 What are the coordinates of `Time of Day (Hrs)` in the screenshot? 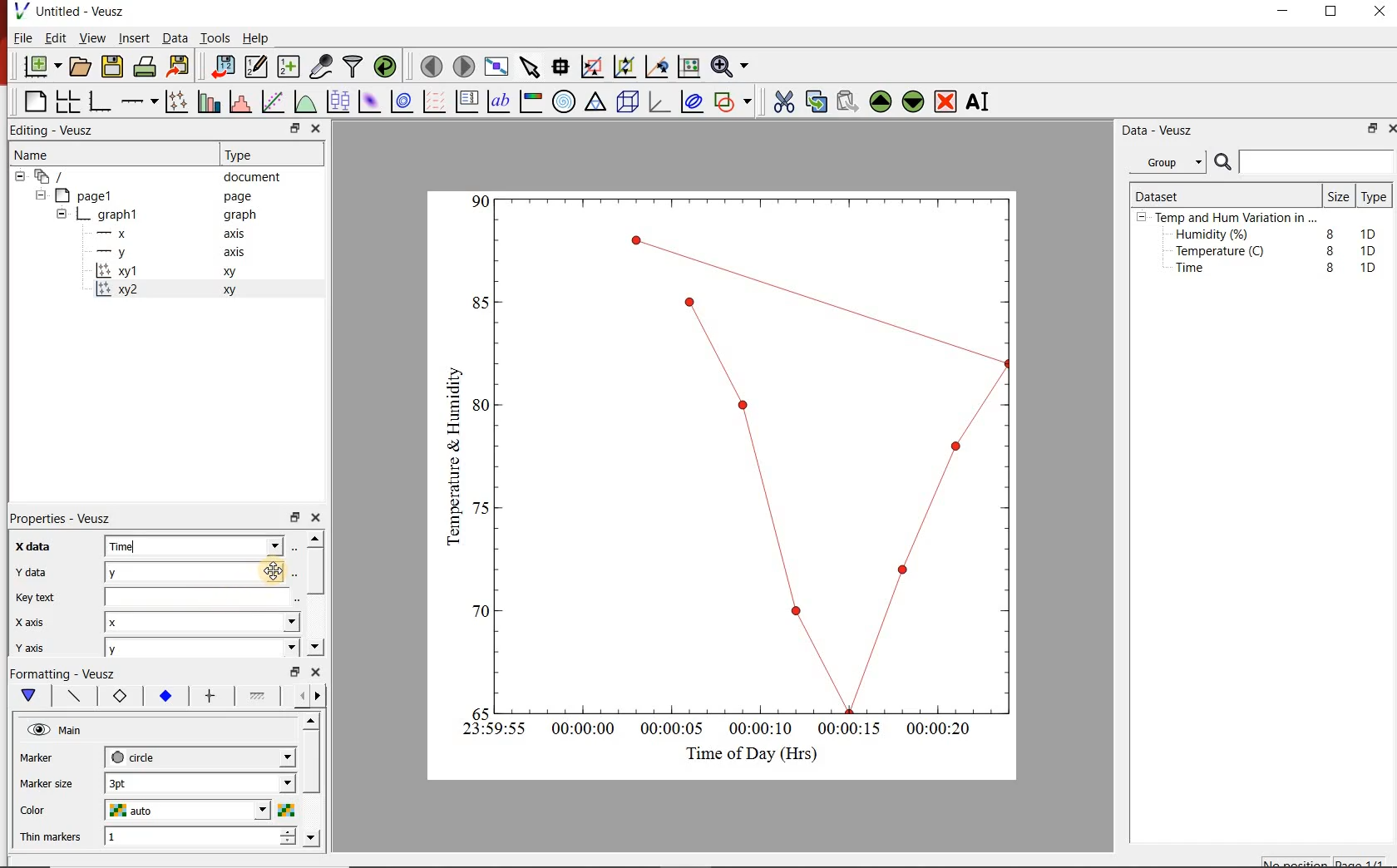 It's located at (745, 753).